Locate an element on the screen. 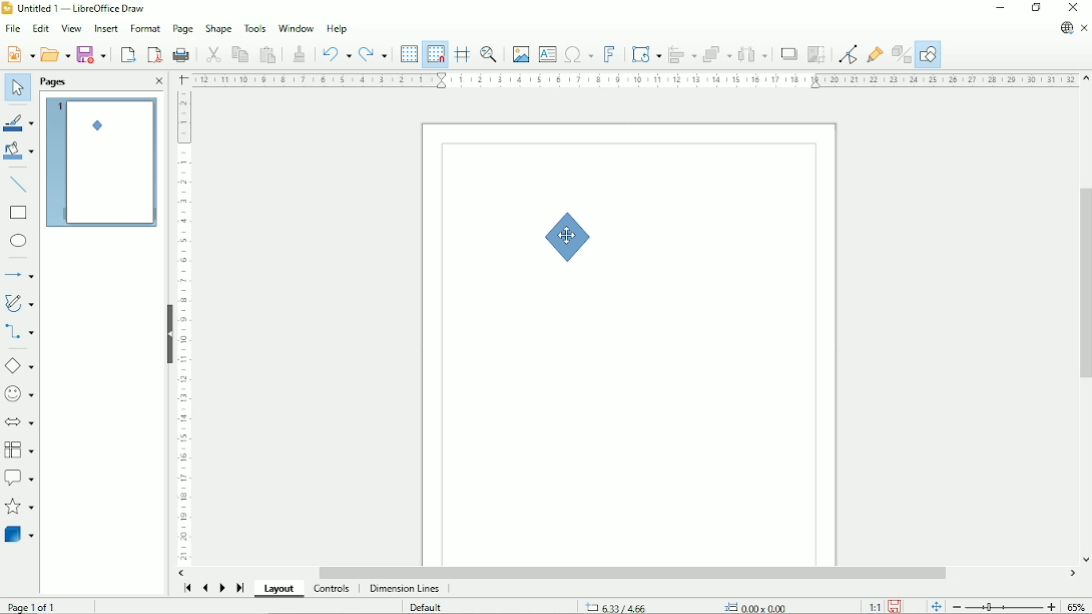 This screenshot has width=1092, height=614. Tools is located at coordinates (255, 27).